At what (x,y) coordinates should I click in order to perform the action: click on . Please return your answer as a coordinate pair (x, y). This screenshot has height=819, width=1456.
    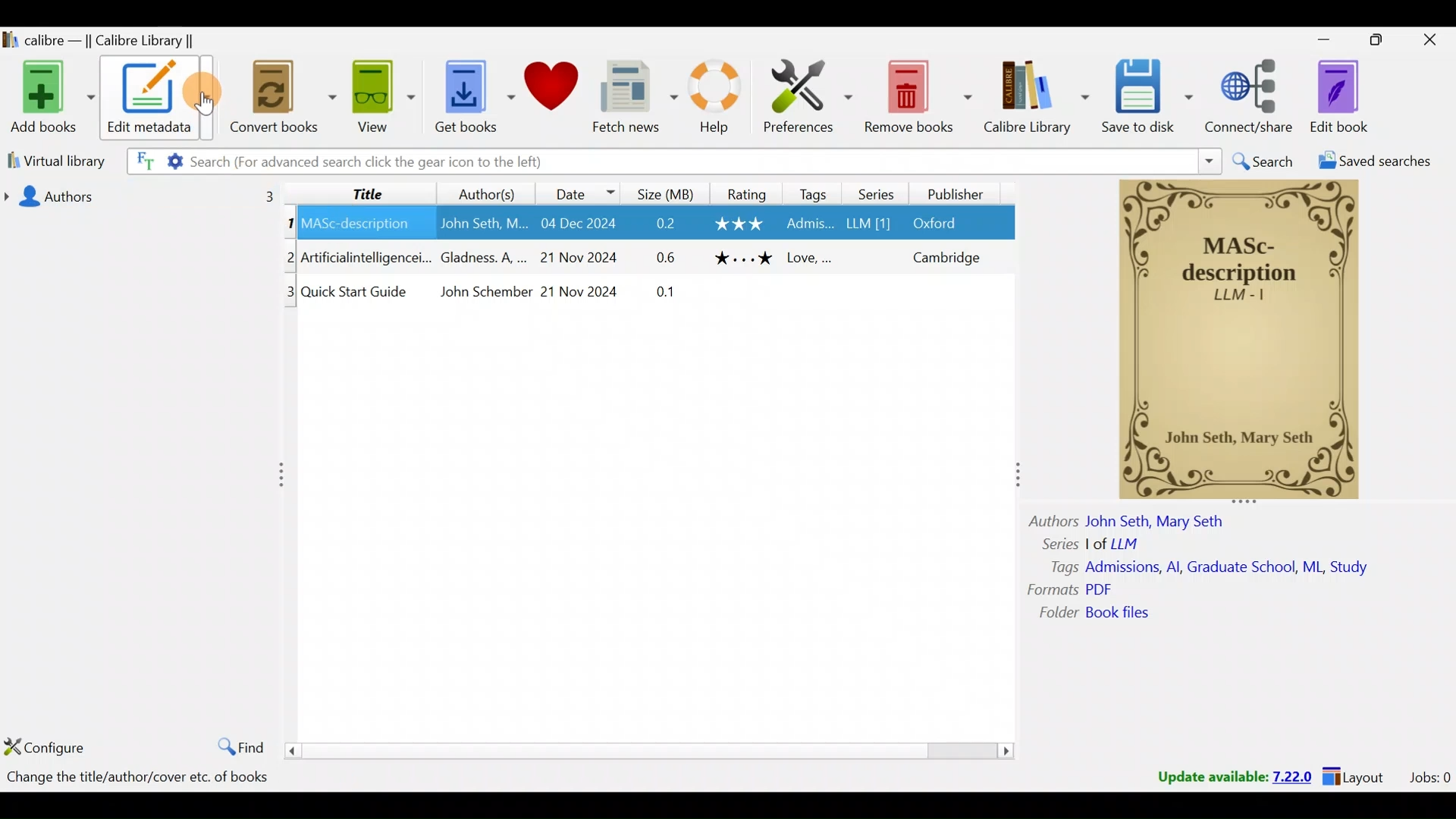
    Looking at the image, I should click on (946, 223).